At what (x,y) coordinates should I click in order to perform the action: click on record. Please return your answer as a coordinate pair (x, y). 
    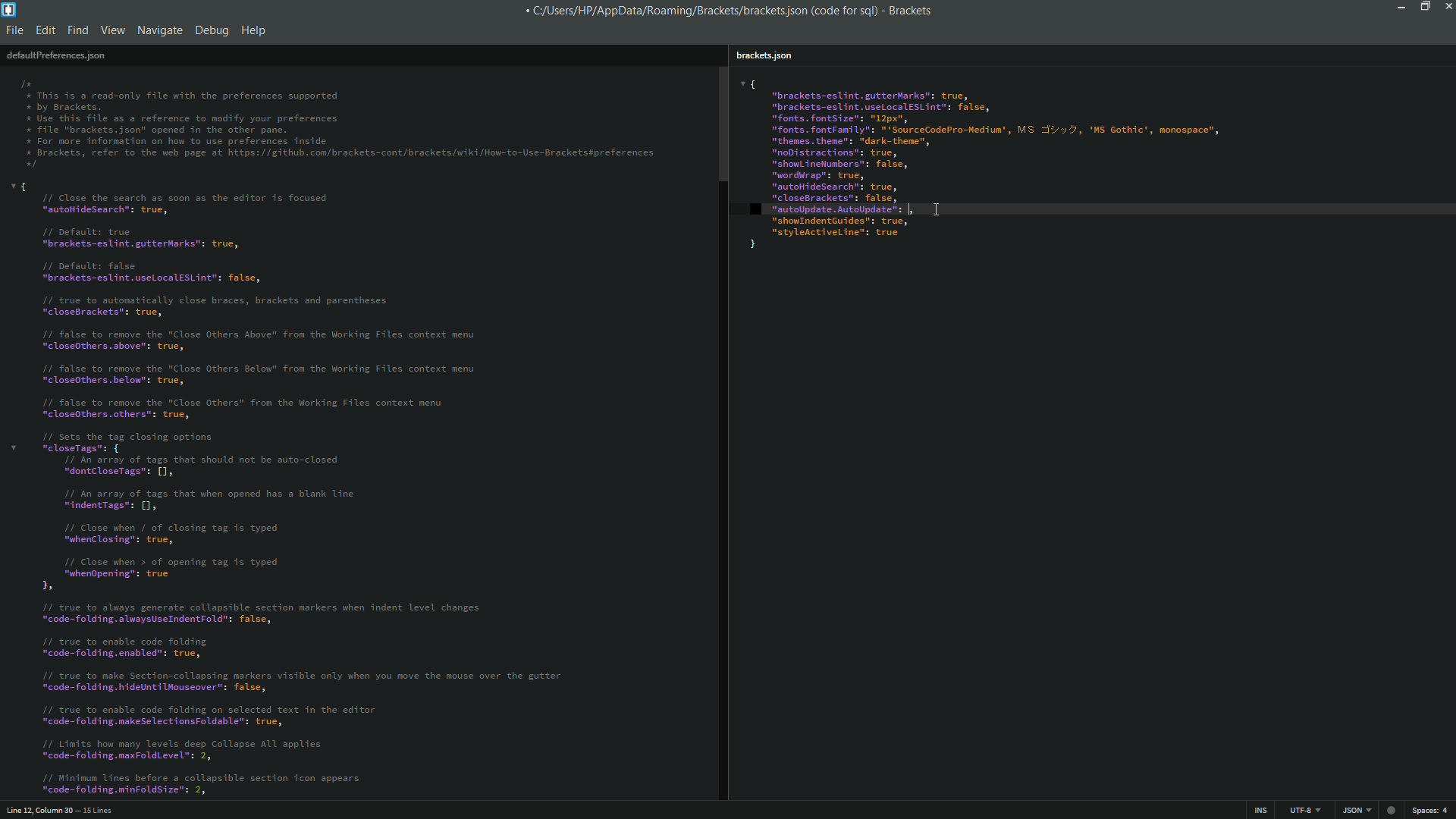
    Looking at the image, I should click on (1393, 808).